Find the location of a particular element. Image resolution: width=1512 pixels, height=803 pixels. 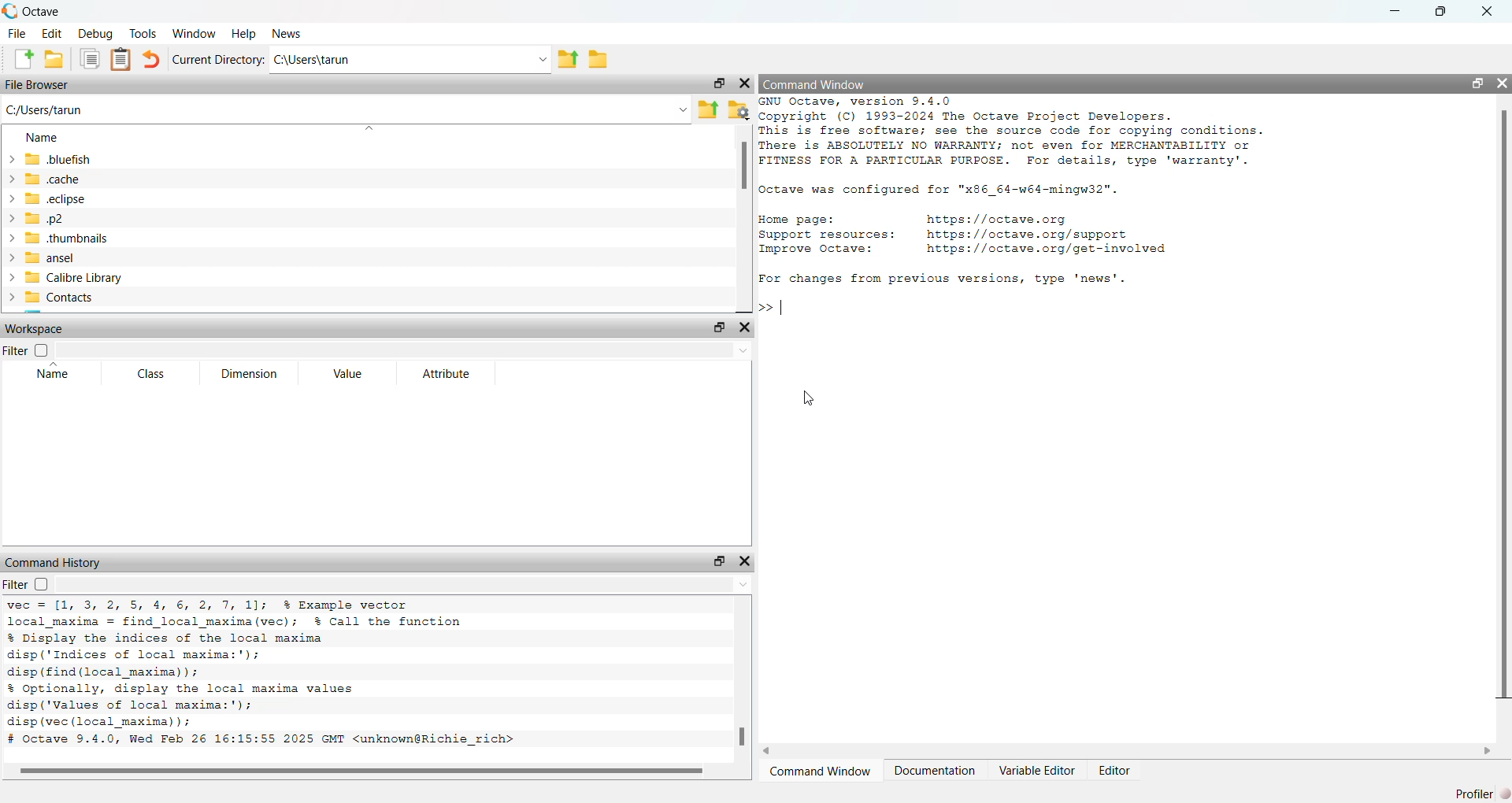

News is located at coordinates (287, 34).